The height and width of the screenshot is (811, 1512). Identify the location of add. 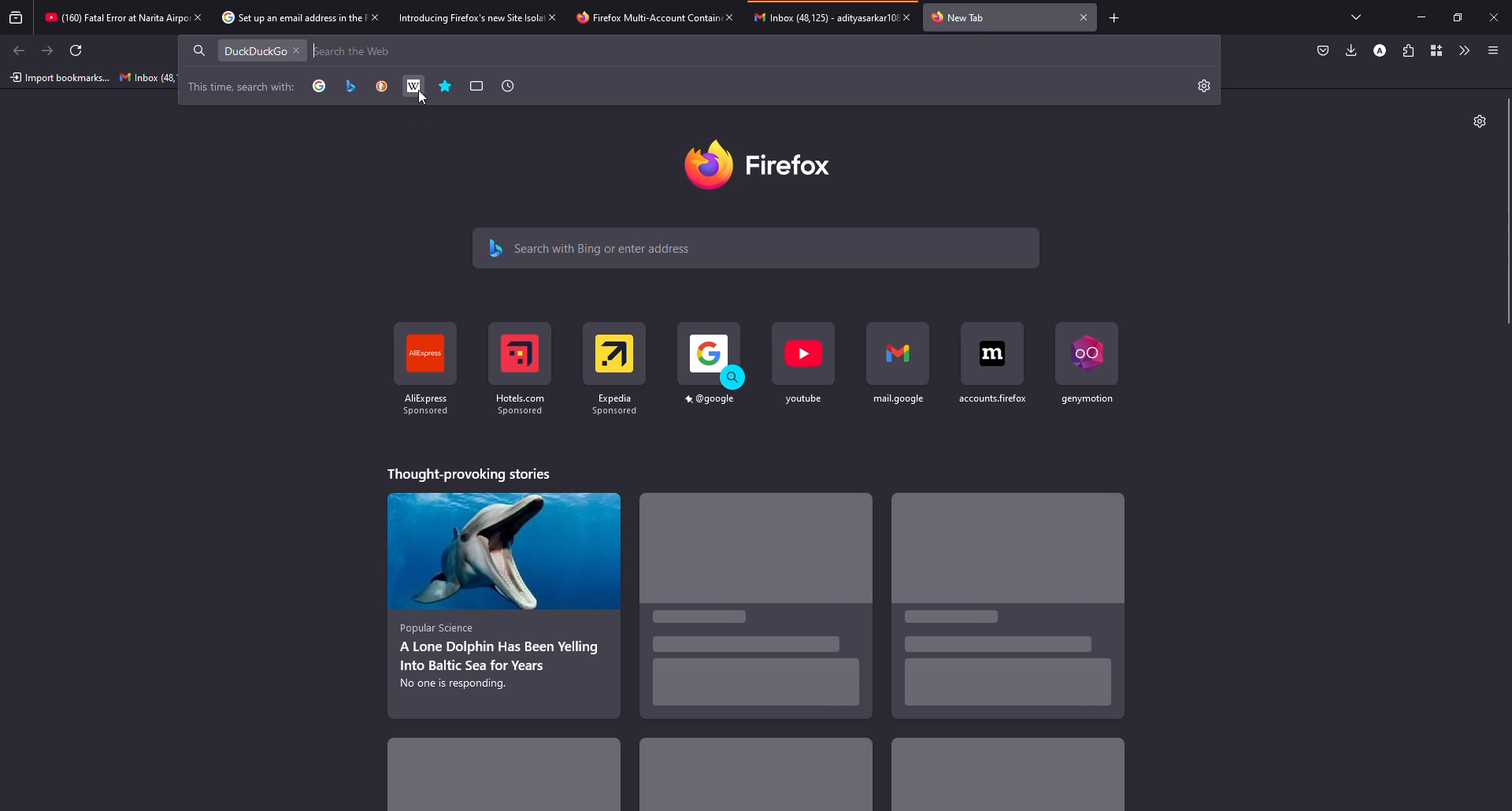
(1115, 19).